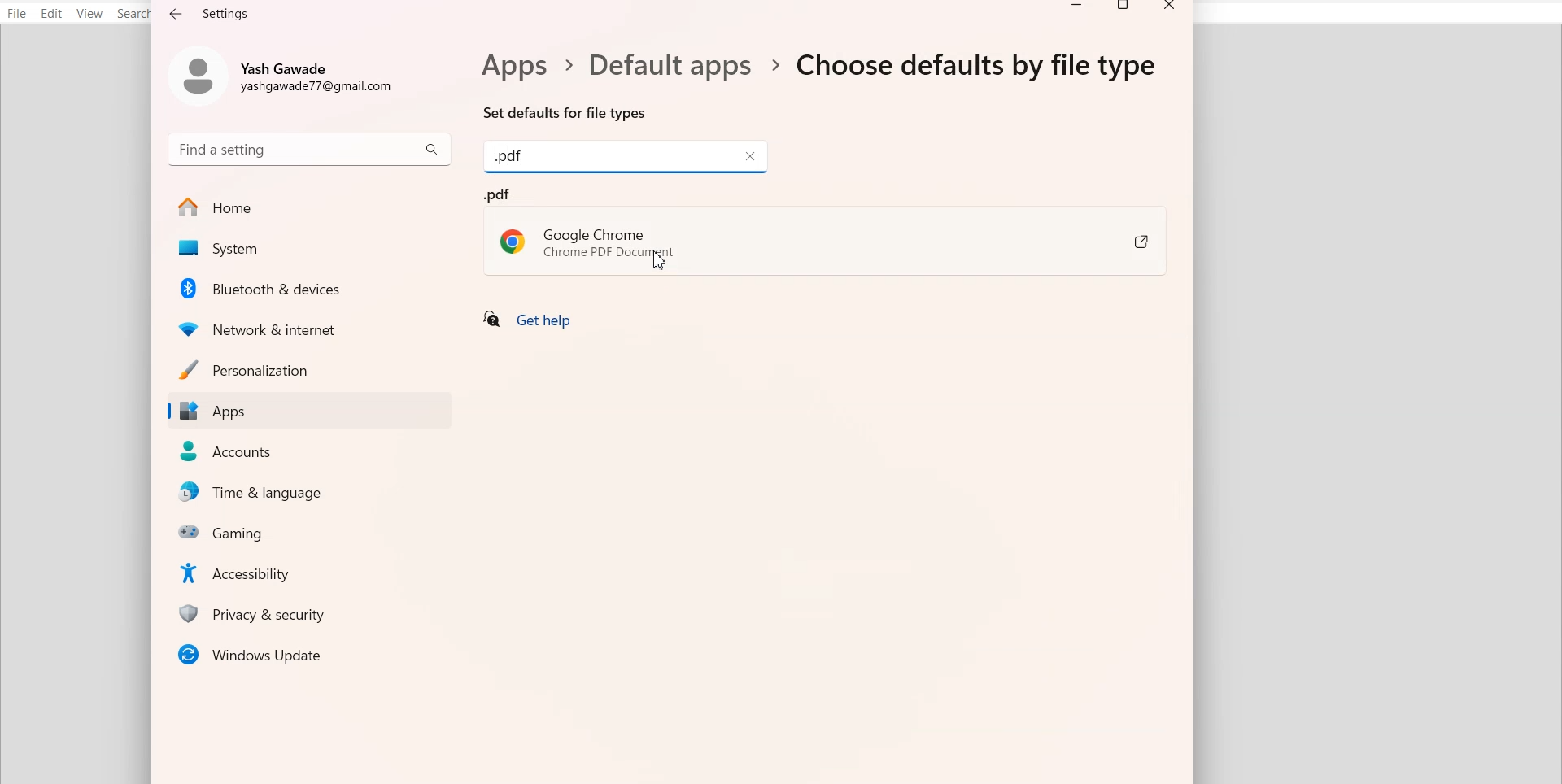 The image size is (1562, 784). What do you see at coordinates (308, 369) in the screenshot?
I see `Personalization` at bounding box center [308, 369].